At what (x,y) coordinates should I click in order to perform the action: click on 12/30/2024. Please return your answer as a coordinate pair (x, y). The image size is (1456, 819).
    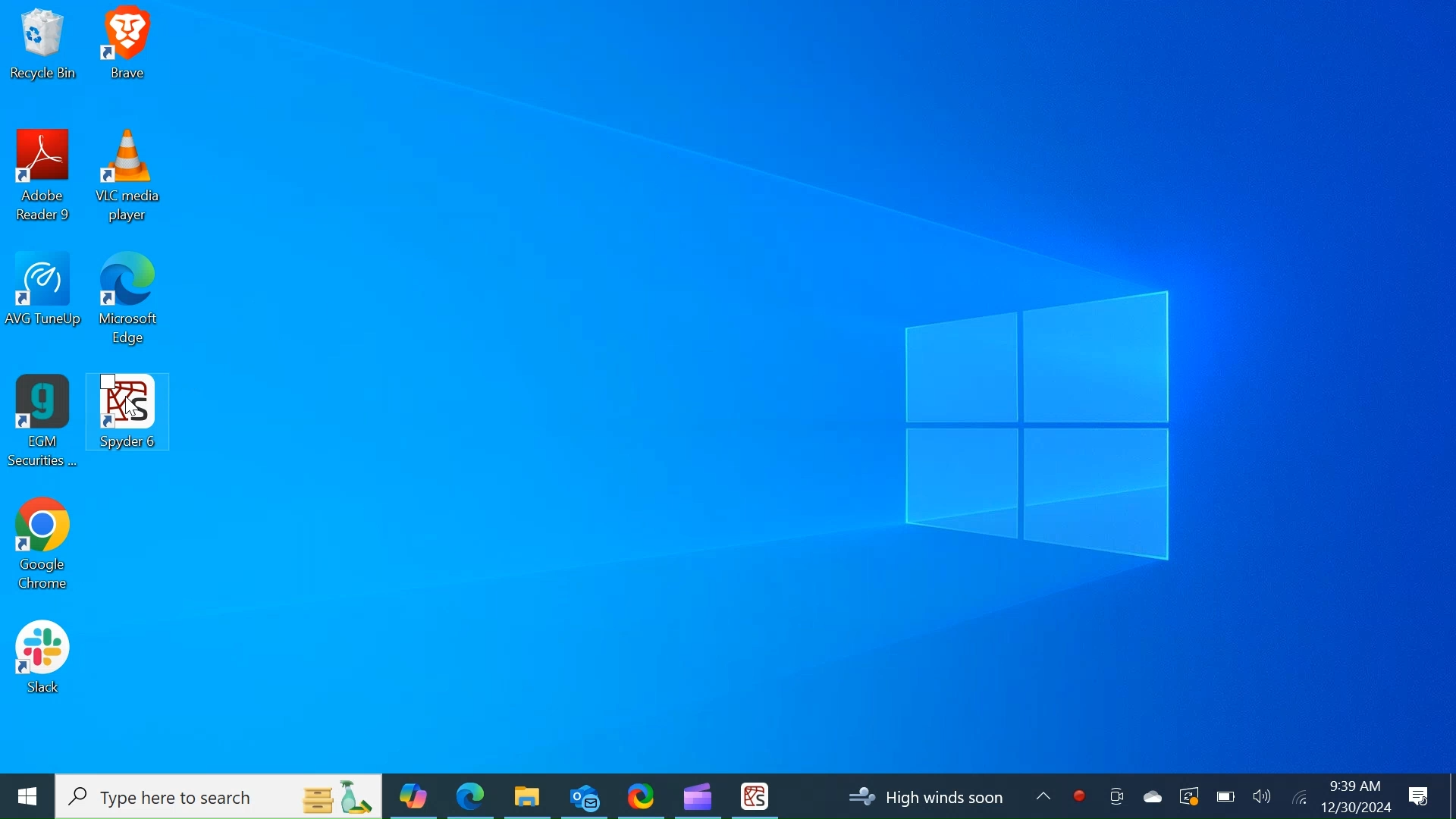
    Looking at the image, I should click on (1357, 807).